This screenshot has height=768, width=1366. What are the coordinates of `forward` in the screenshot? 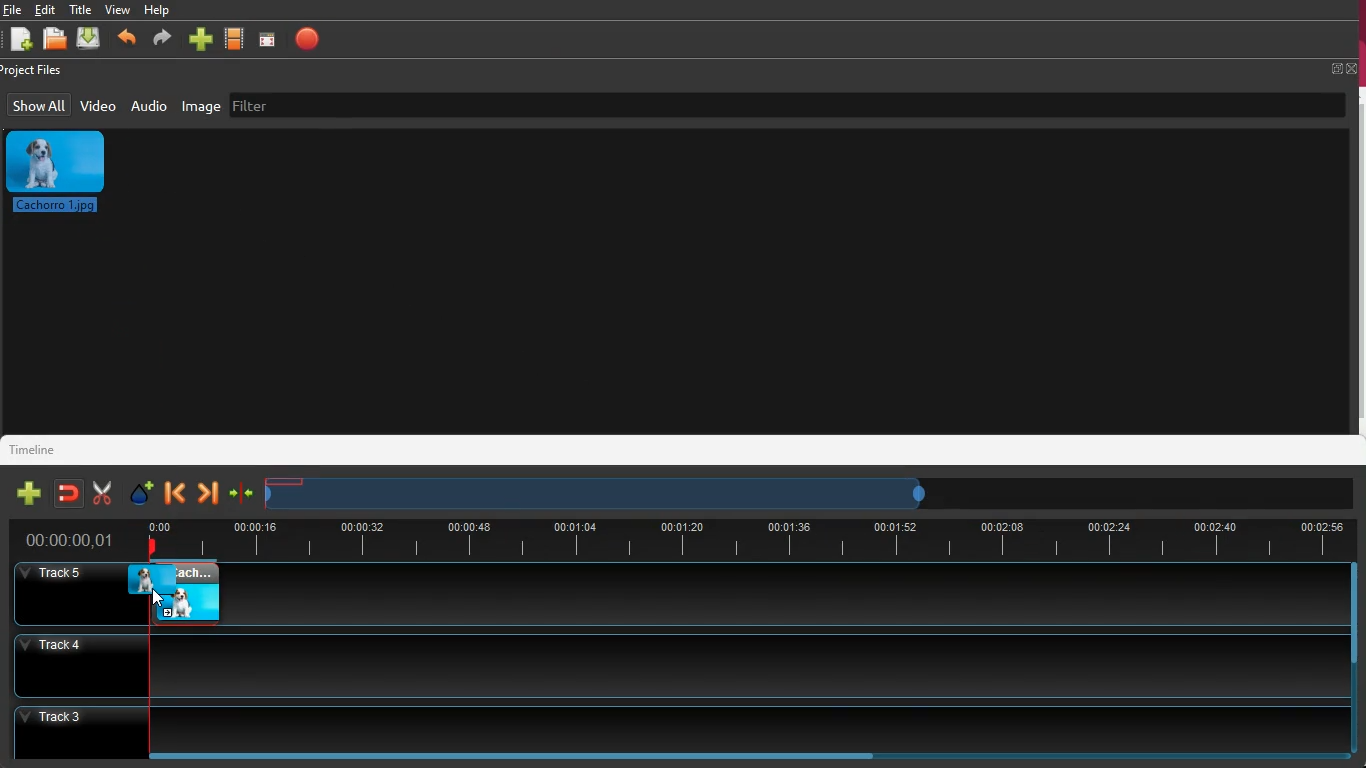 It's located at (207, 493).